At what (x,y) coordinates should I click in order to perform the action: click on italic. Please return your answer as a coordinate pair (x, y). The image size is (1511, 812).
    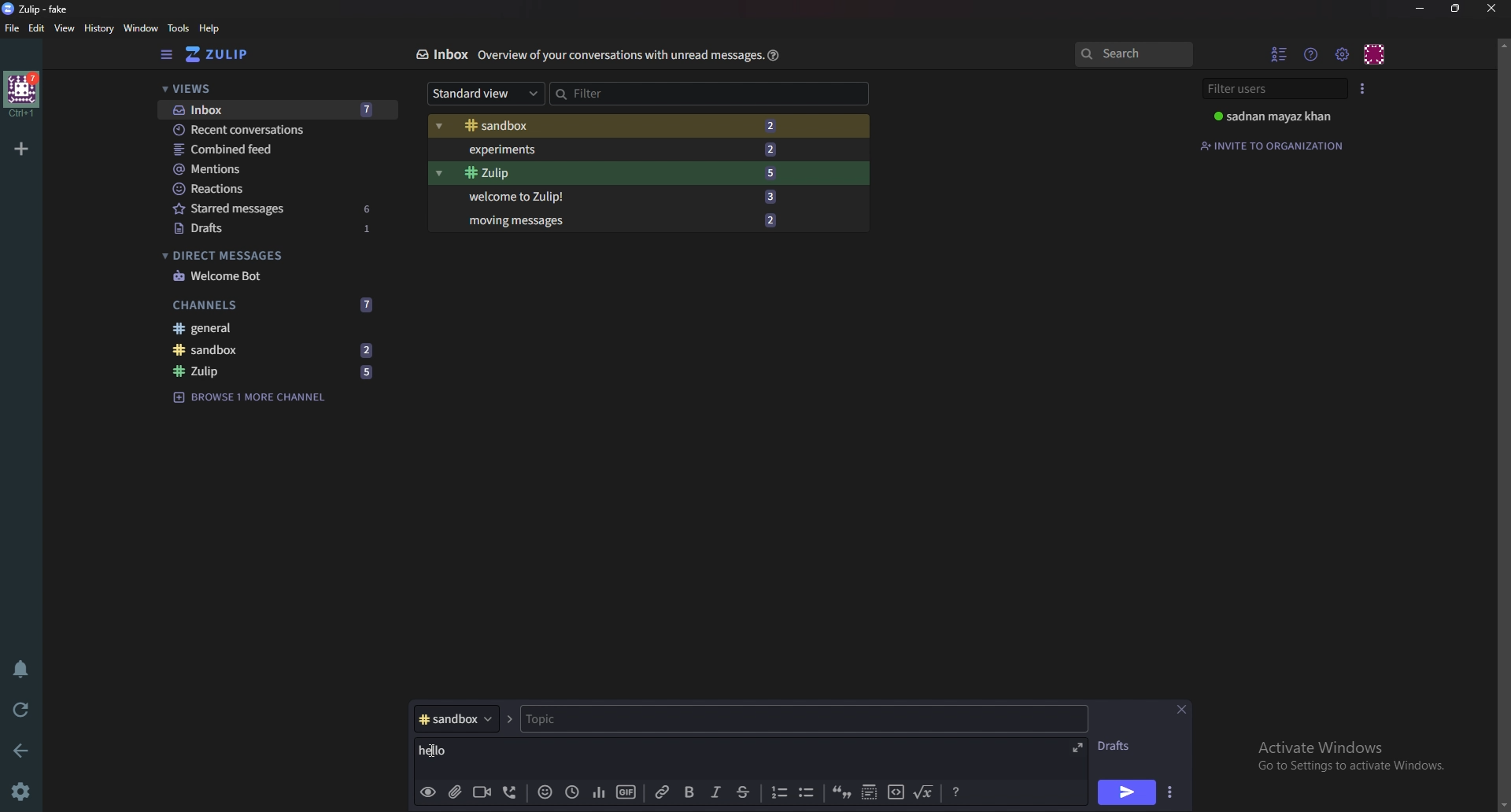
    Looking at the image, I should click on (716, 792).